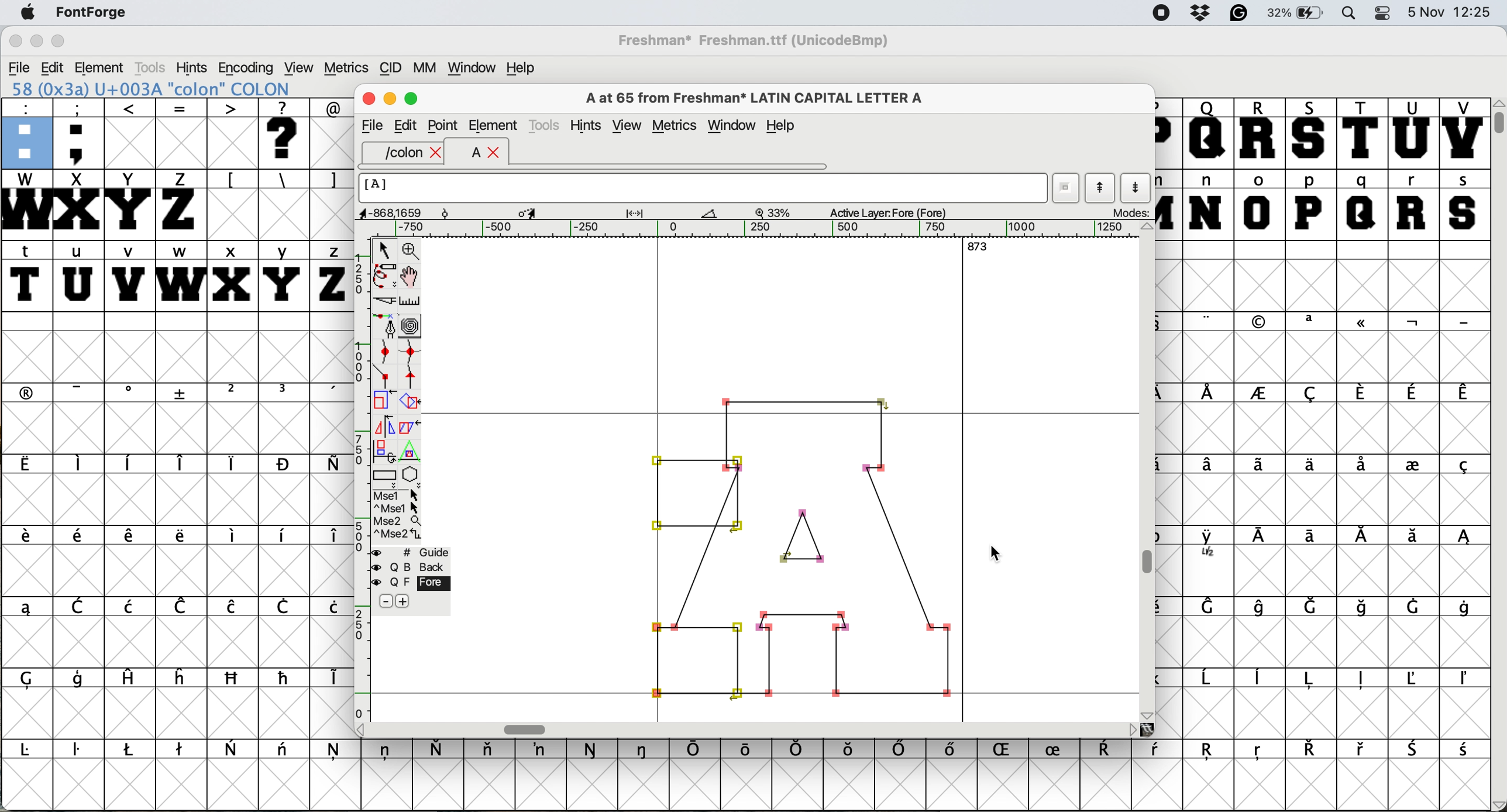 The image size is (1507, 812). I want to click on r, so click(1414, 205).